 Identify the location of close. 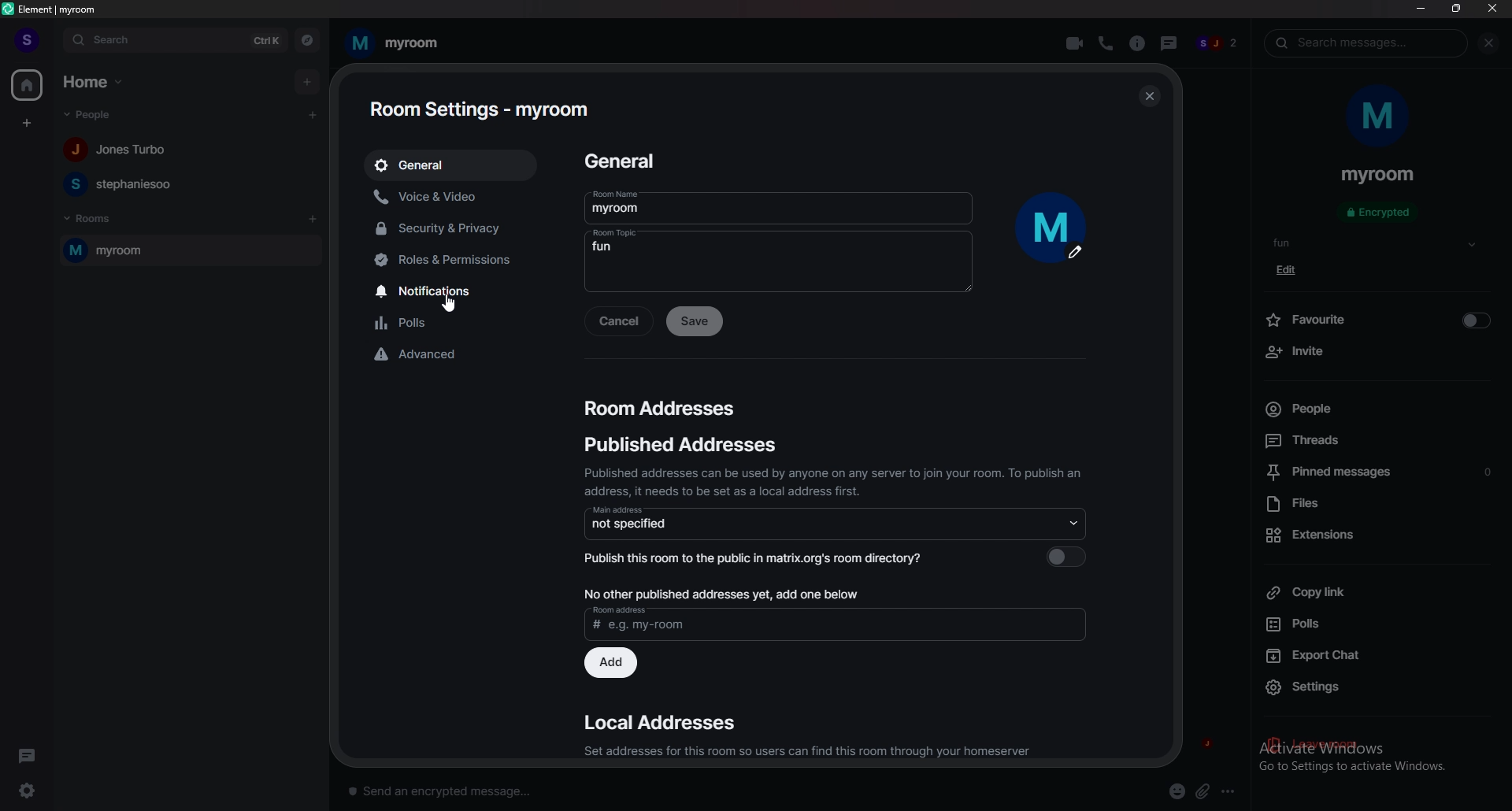
(1147, 96).